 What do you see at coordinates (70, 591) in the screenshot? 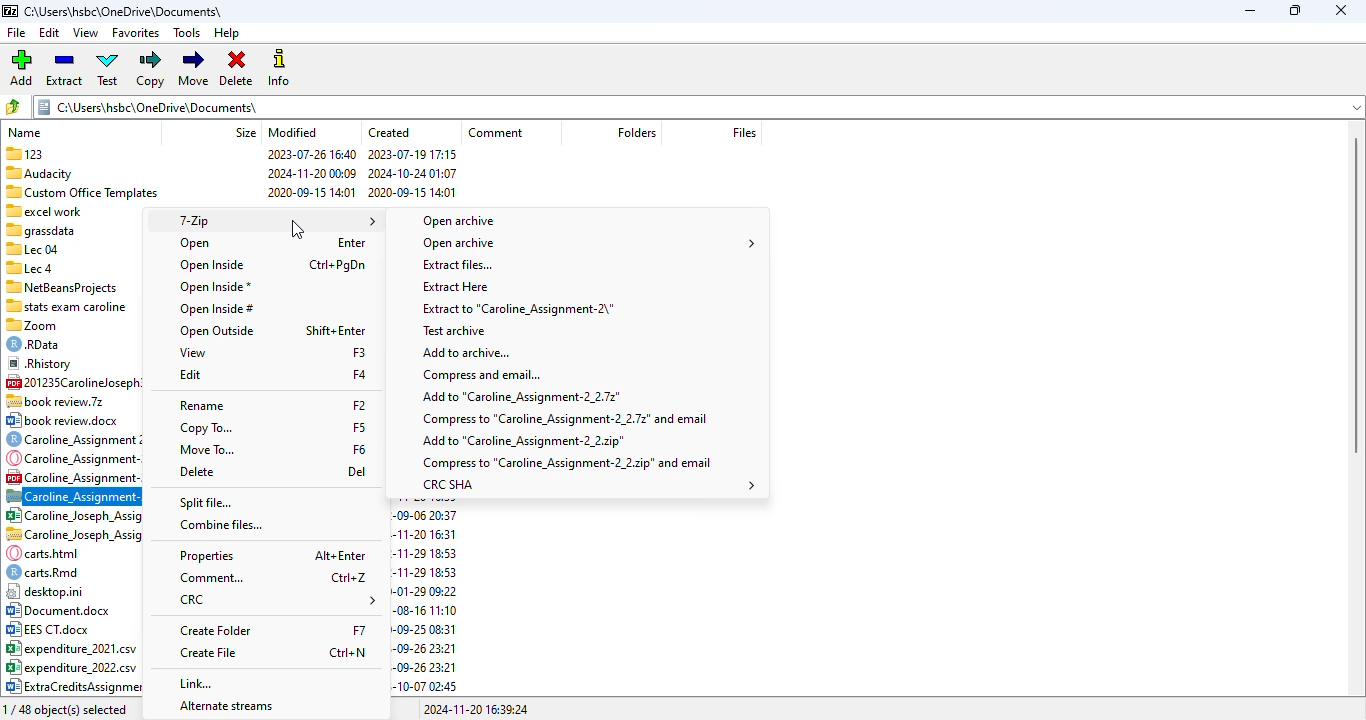
I see `| desktop.ini 418 2024-11-11 14:55 2020-01-29 09:22` at bounding box center [70, 591].